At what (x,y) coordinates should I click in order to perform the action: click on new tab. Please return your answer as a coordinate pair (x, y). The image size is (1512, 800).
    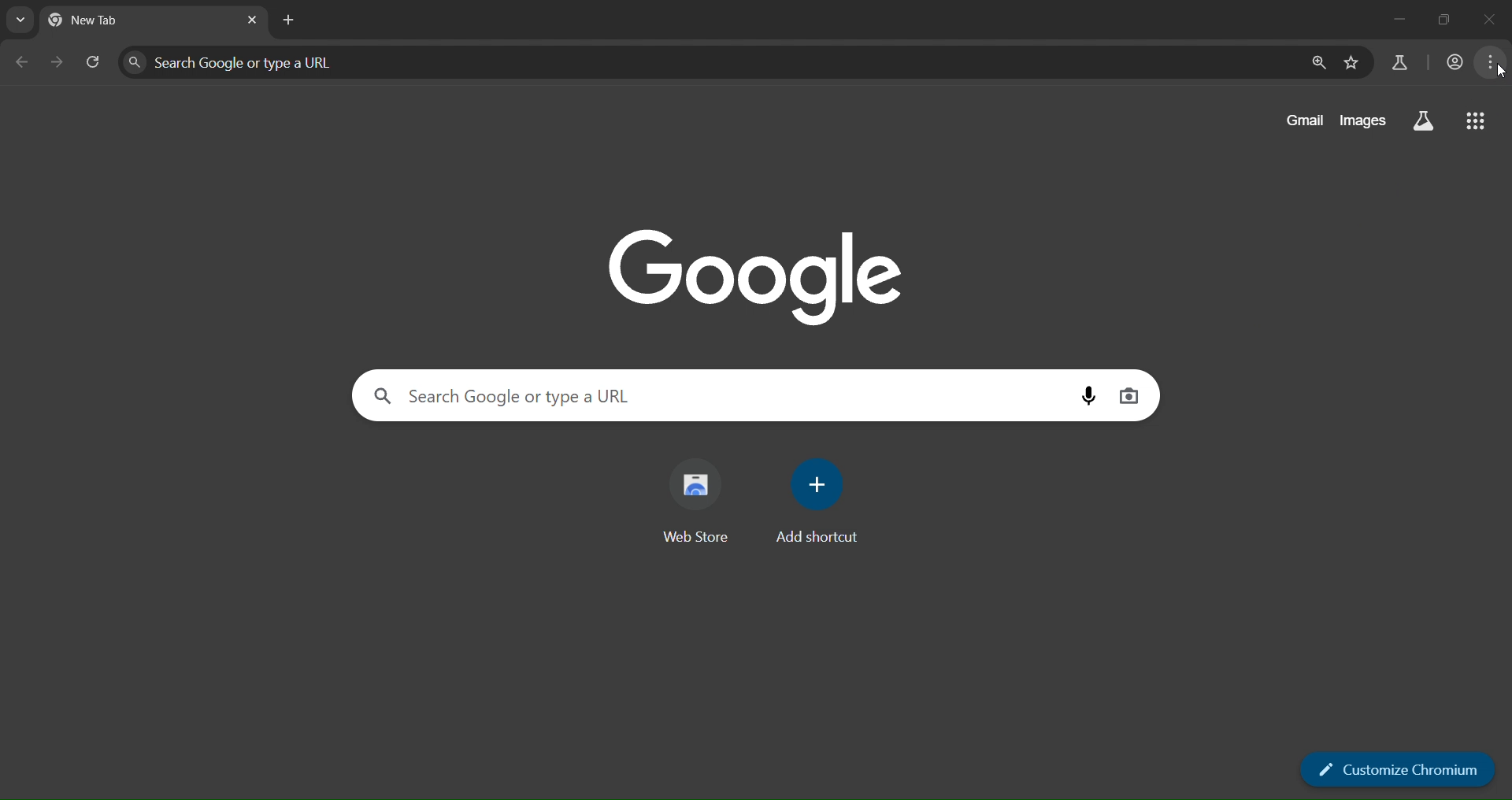
    Looking at the image, I should click on (285, 20).